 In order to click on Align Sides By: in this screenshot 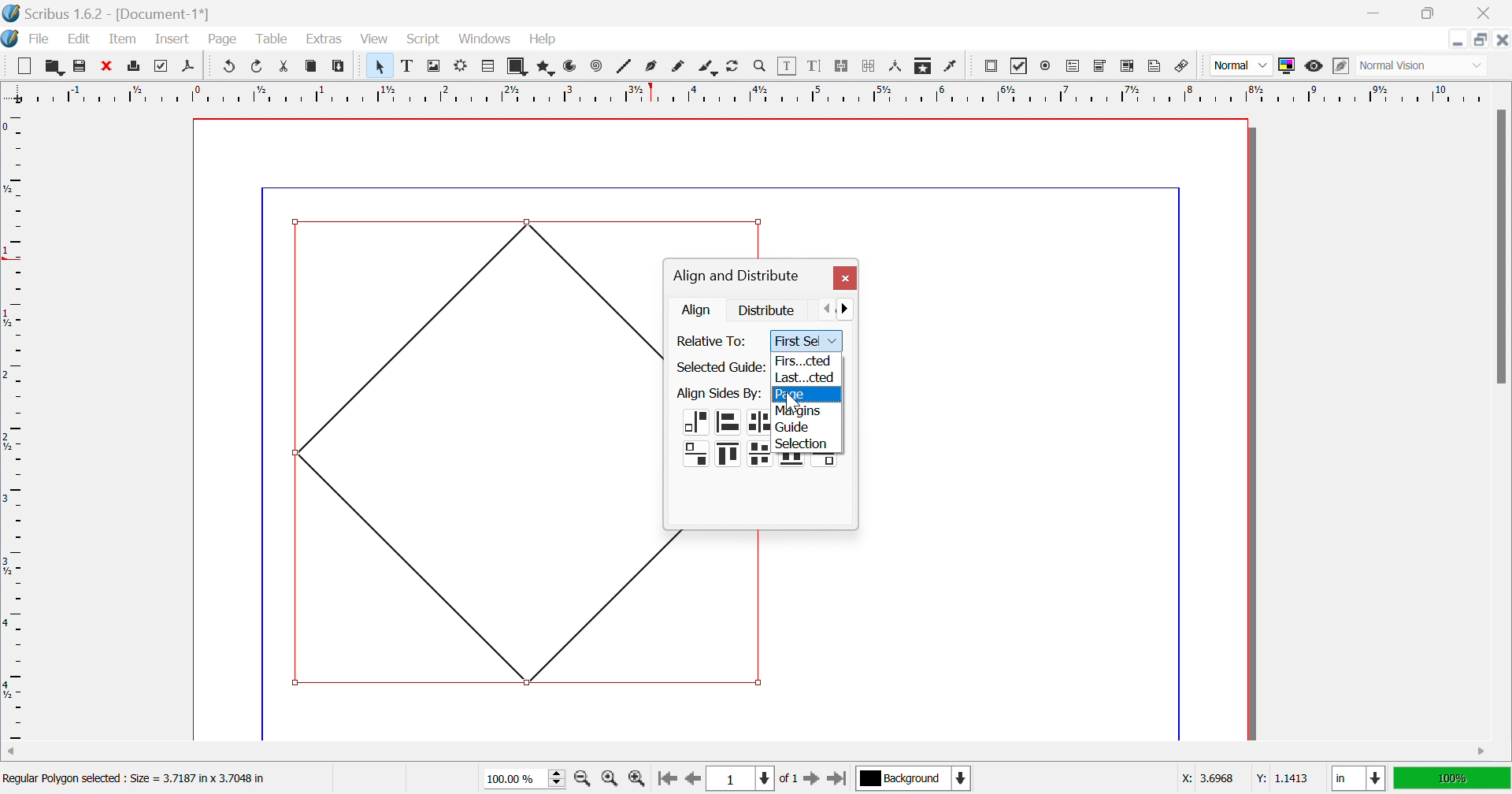, I will do `click(719, 394)`.